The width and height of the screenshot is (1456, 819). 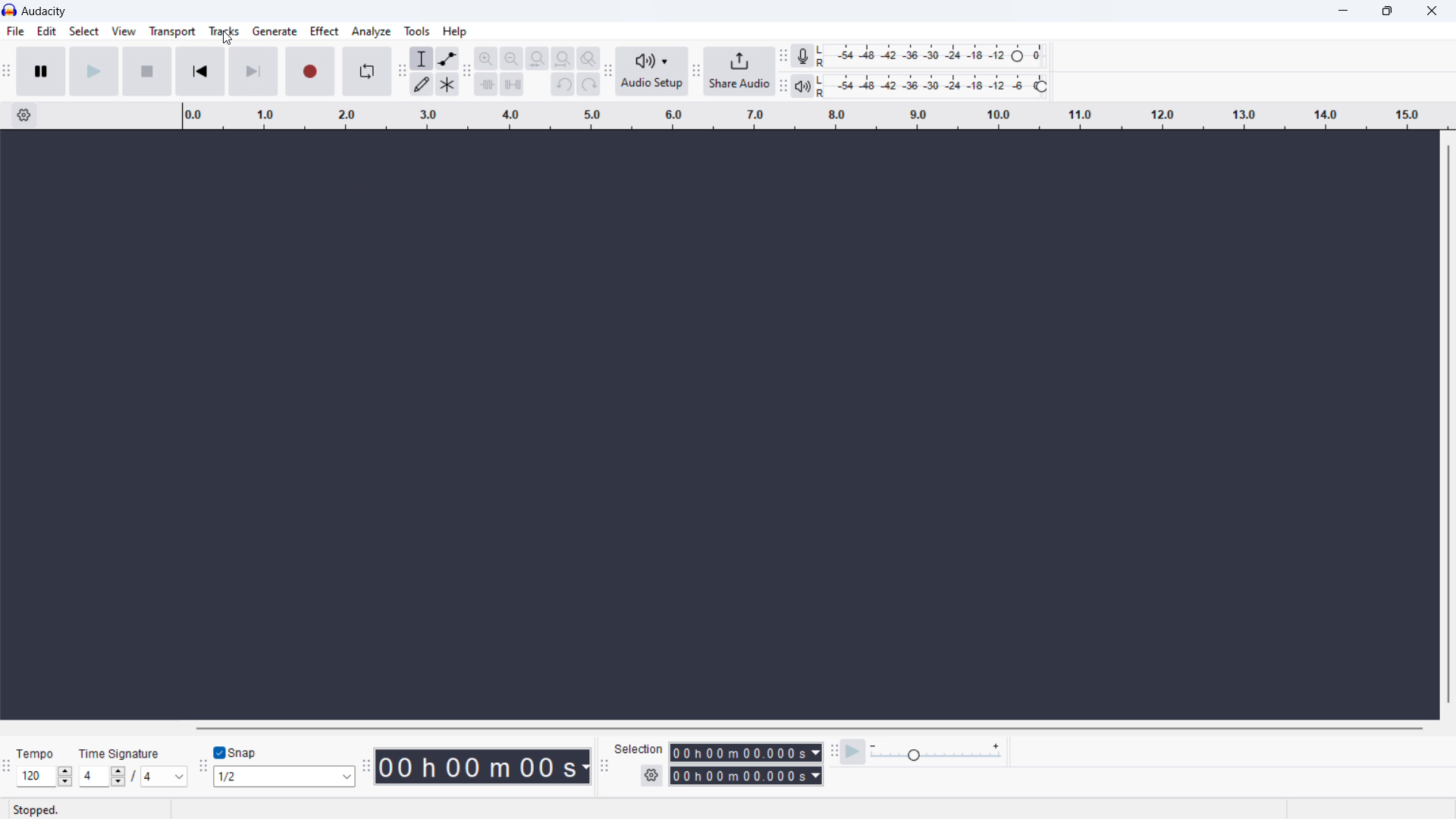 I want to click on checkbox, so click(x=221, y=752).